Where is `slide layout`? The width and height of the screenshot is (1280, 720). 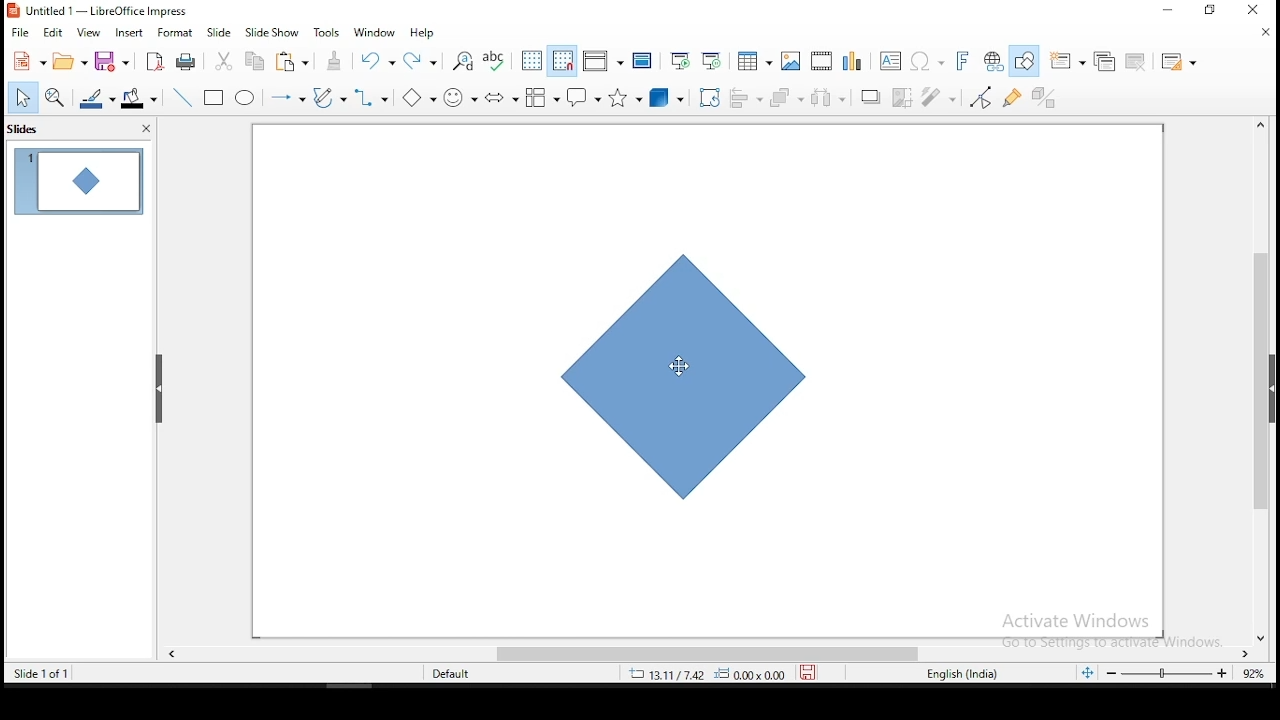
slide layout is located at coordinates (1182, 62).